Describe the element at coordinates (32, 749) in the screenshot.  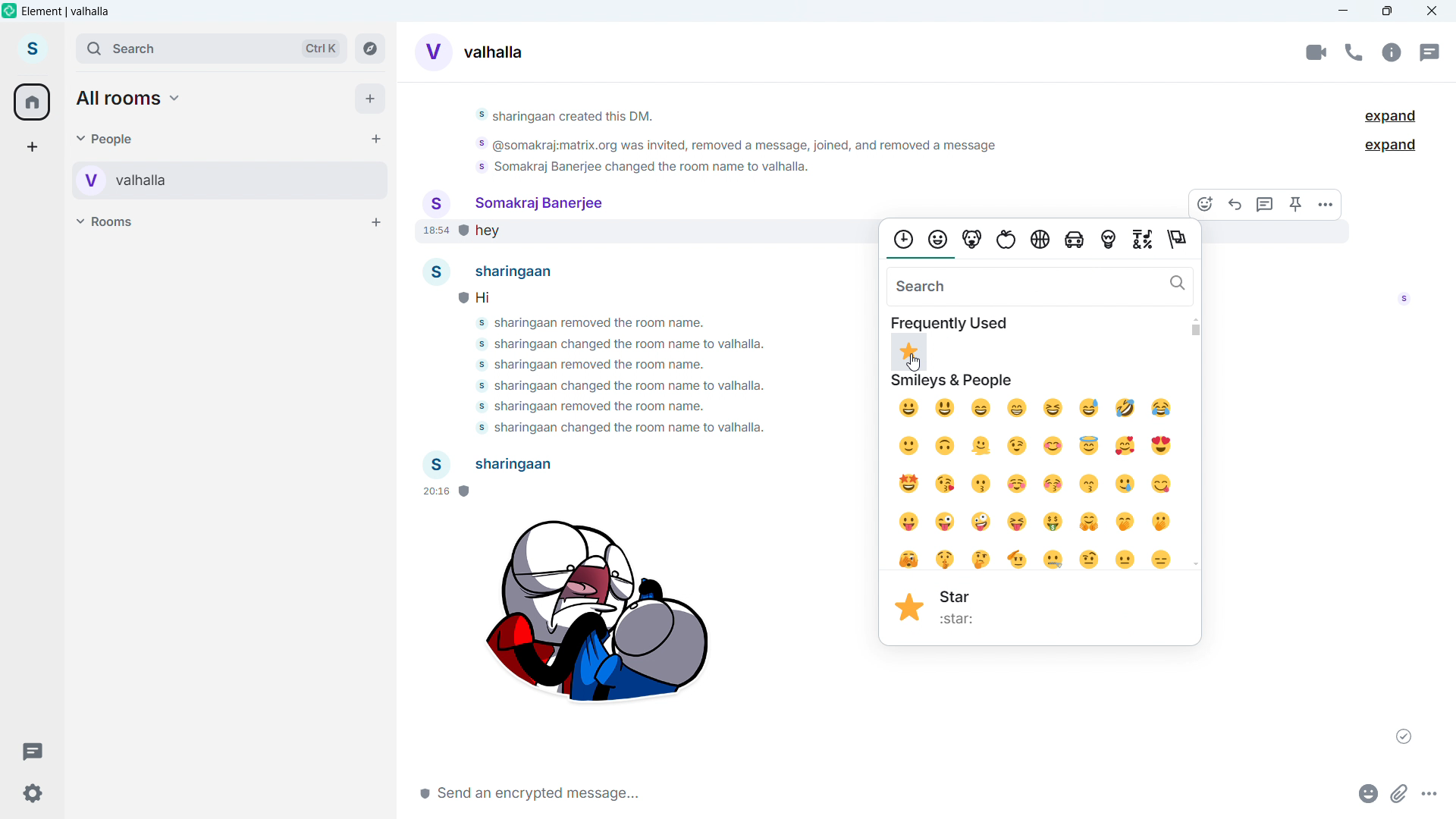
I see `Threads` at that location.